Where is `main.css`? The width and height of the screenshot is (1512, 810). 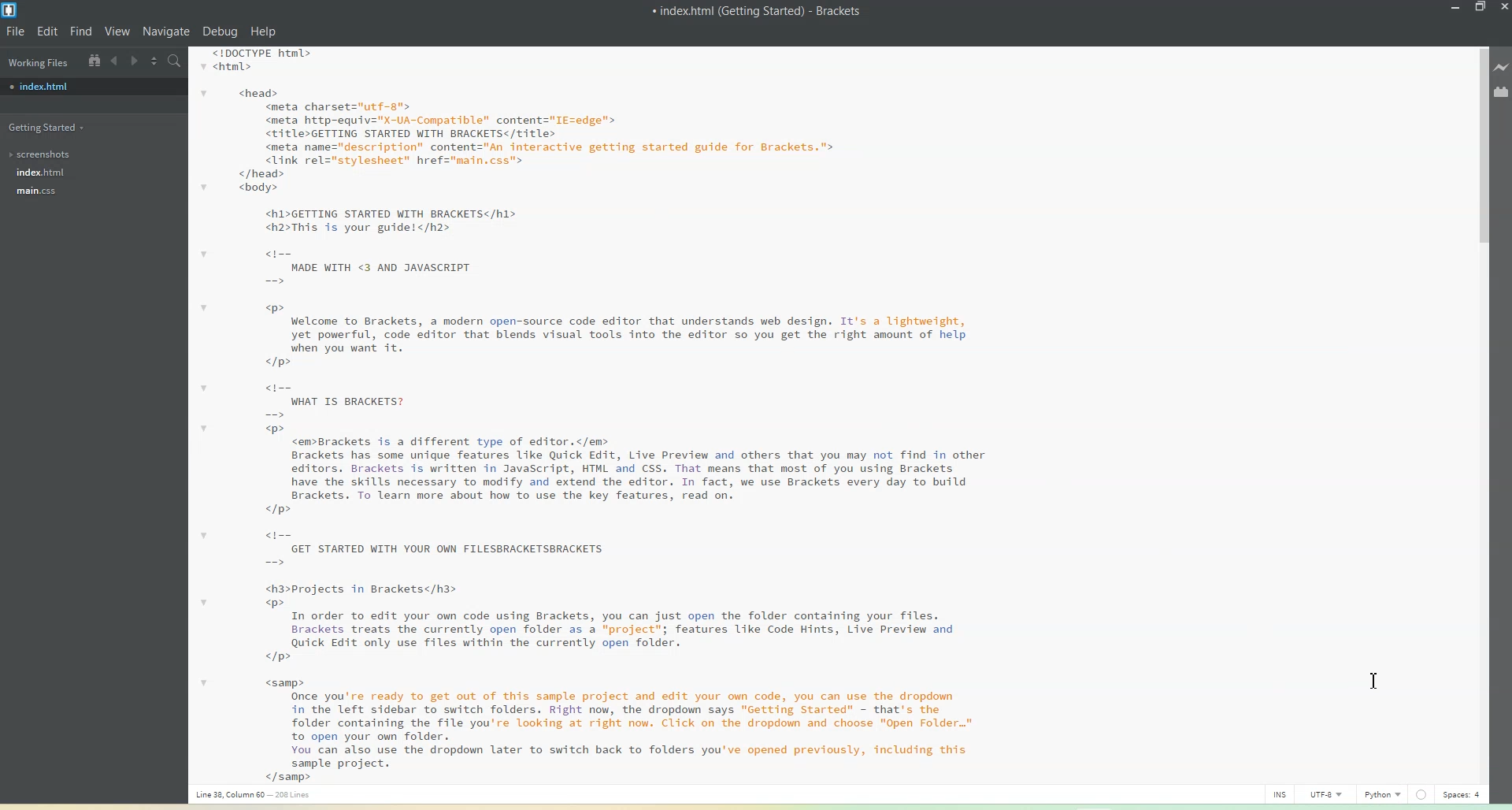
main.css is located at coordinates (43, 192).